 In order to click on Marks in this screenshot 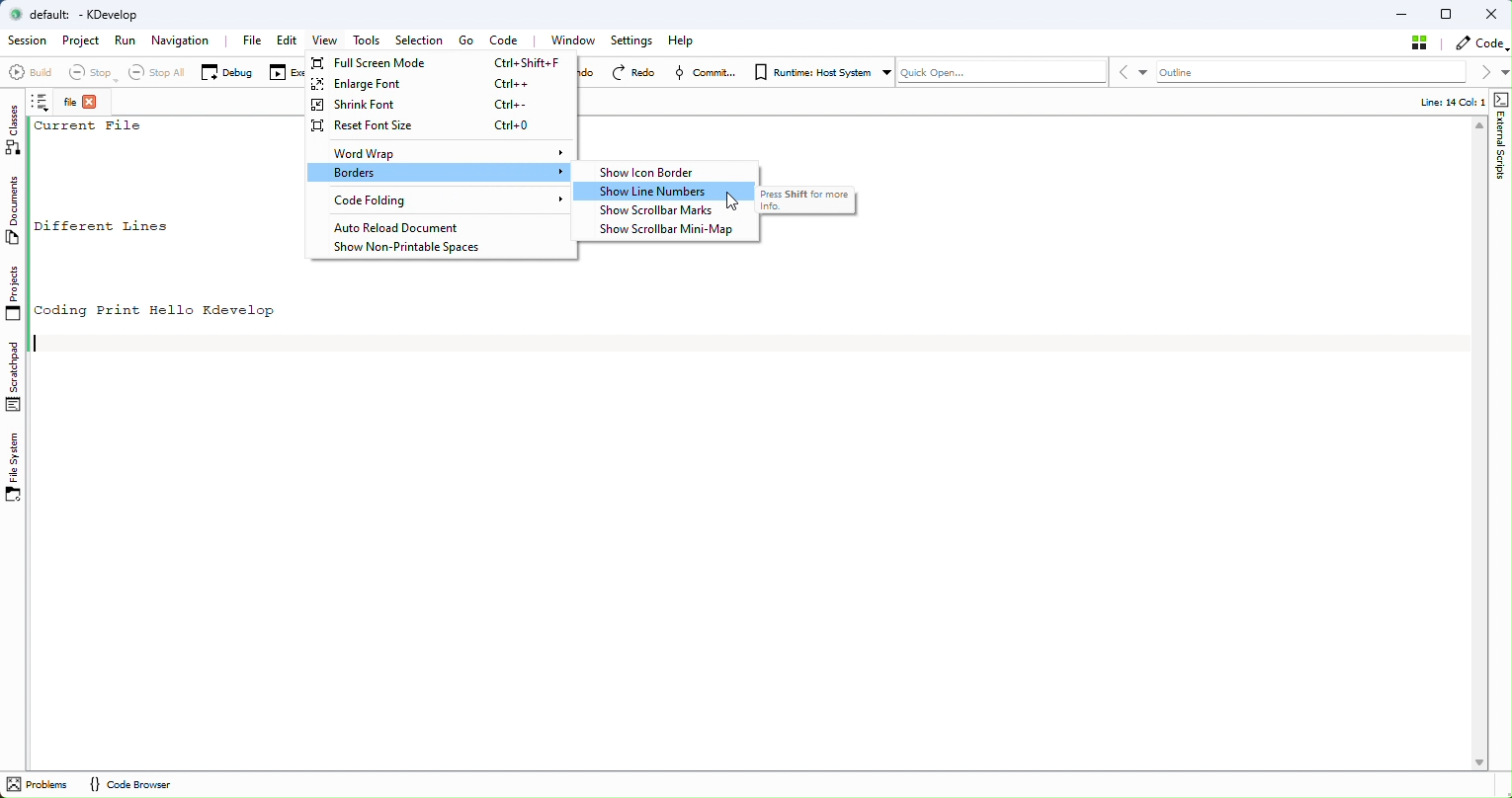, I will do `click(667, 211)`.